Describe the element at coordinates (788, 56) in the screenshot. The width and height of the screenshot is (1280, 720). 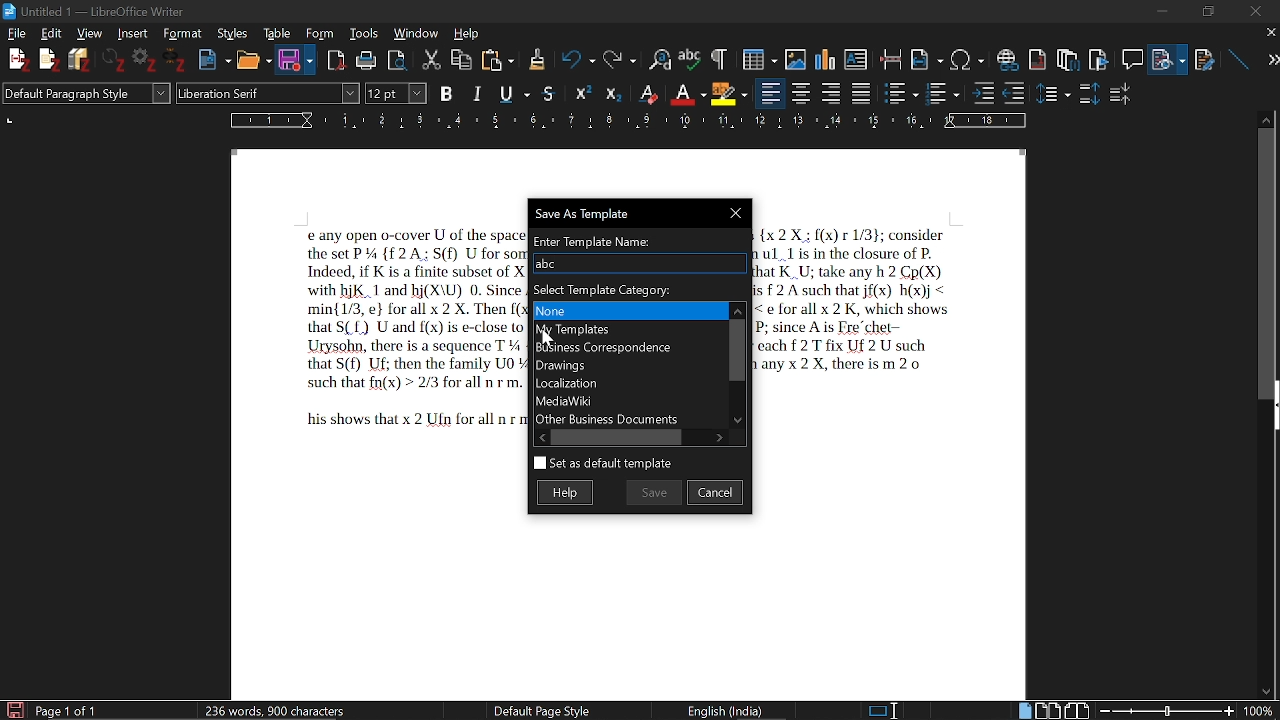
I see `Insert Image` at that location.